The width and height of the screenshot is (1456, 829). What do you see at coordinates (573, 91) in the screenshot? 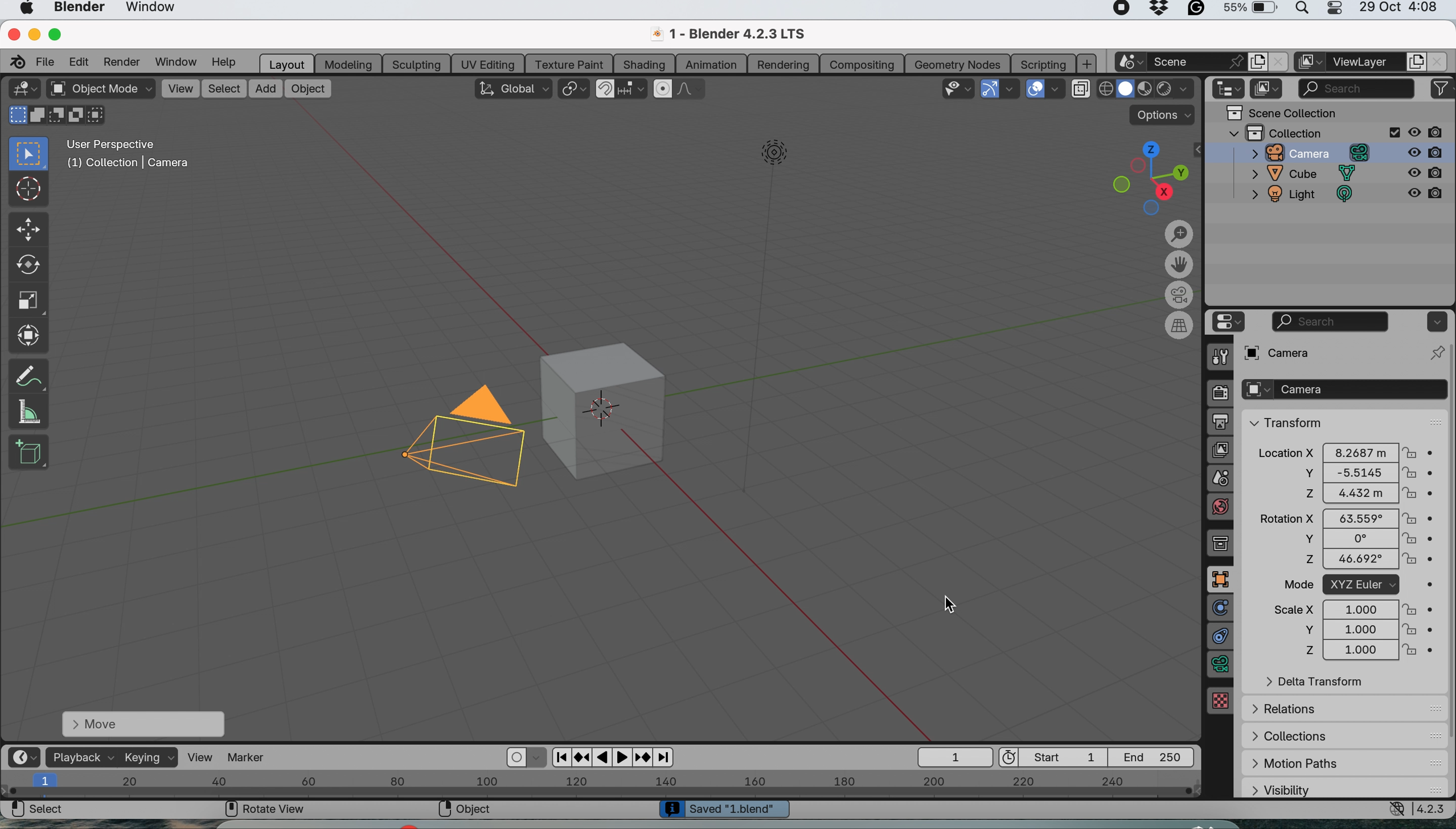
I see `transform pivot point` at bounding box center [573, 91].